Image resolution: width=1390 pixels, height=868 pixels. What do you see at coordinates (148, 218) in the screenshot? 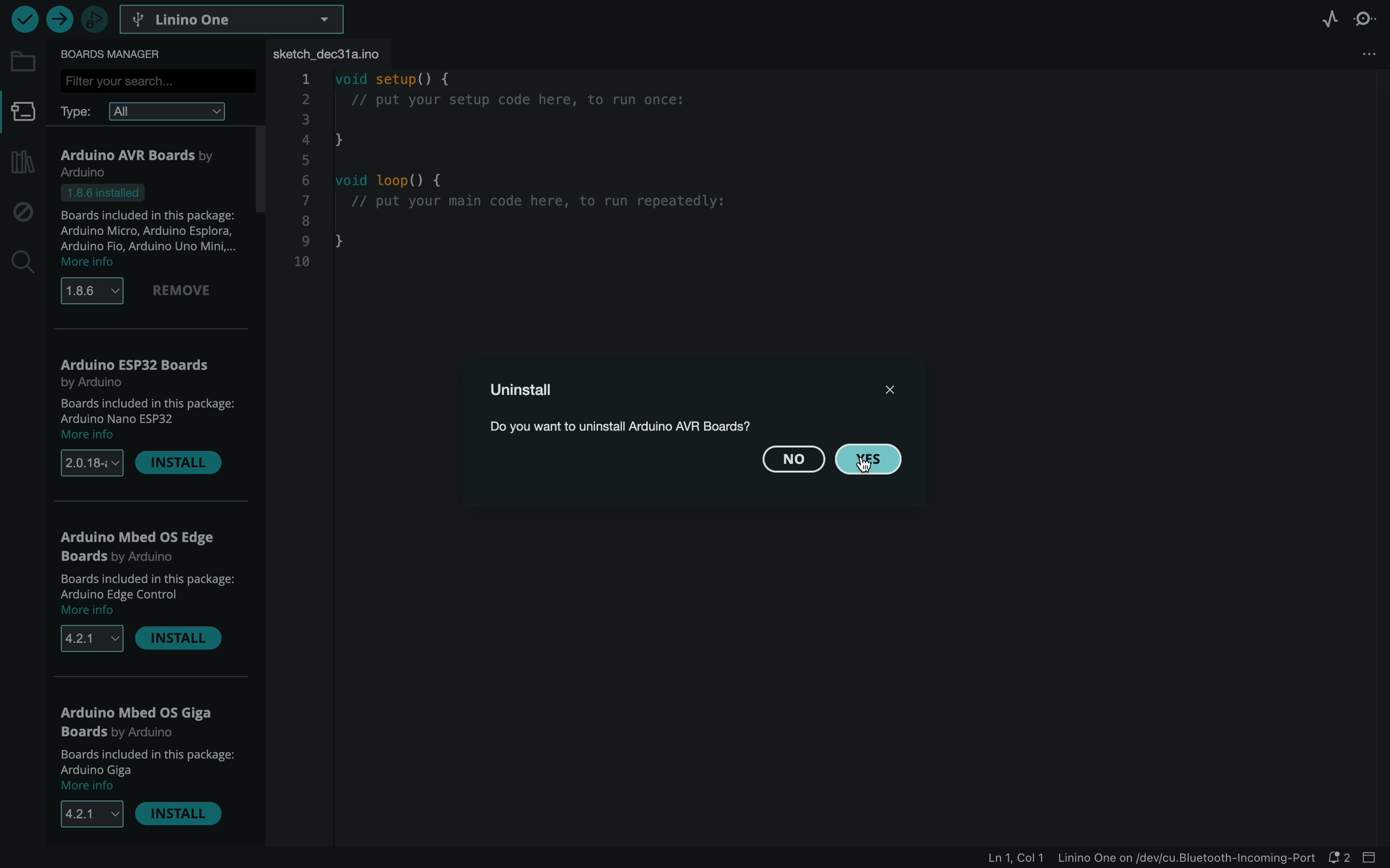
I see `description` at bounding box center [148, 218].